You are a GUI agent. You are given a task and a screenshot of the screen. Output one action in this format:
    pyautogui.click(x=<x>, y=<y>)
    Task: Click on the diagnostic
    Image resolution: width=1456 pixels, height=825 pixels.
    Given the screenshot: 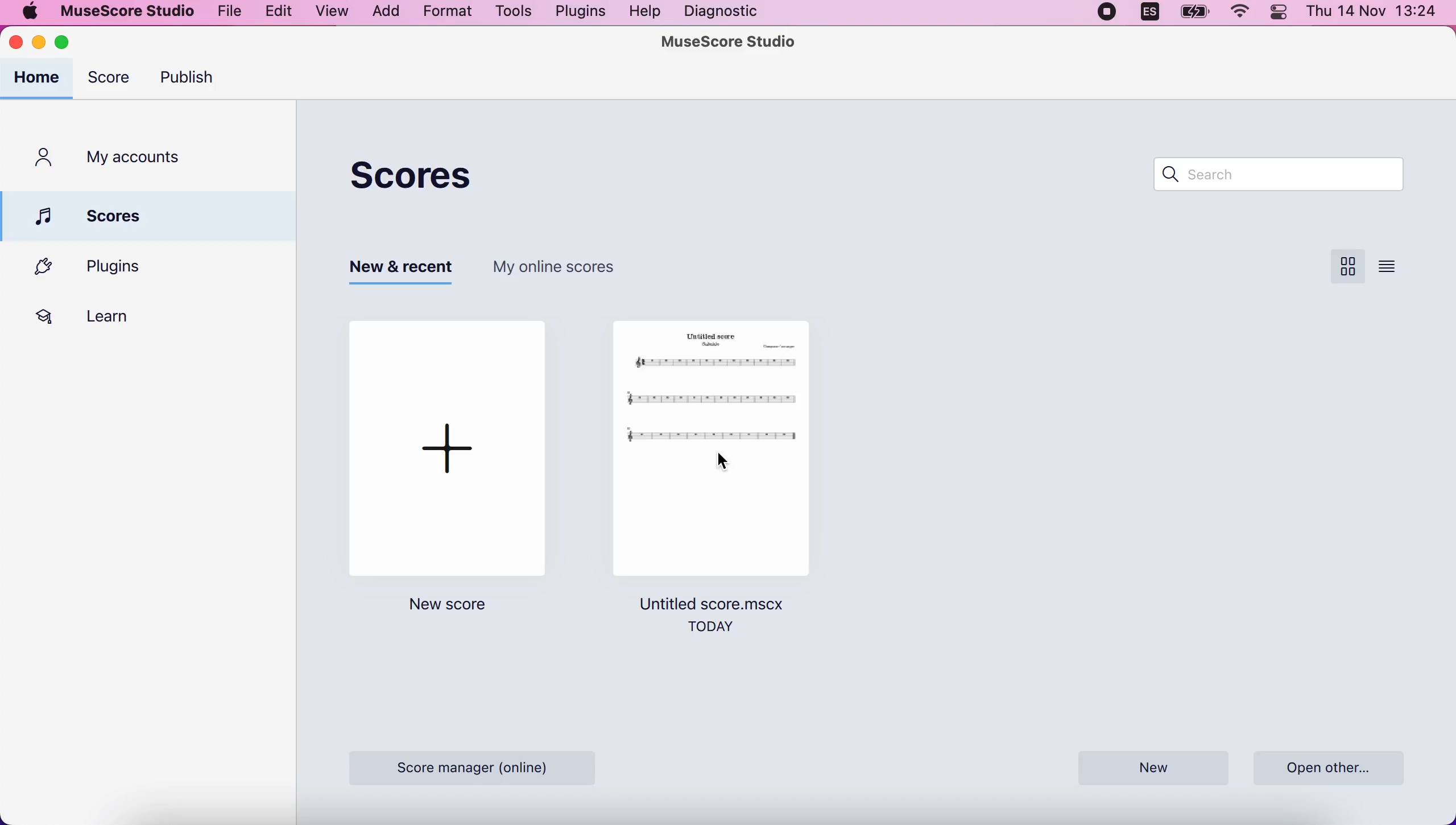 What is the action you would take?
    pyautogui.click(x=729, y=11)
    